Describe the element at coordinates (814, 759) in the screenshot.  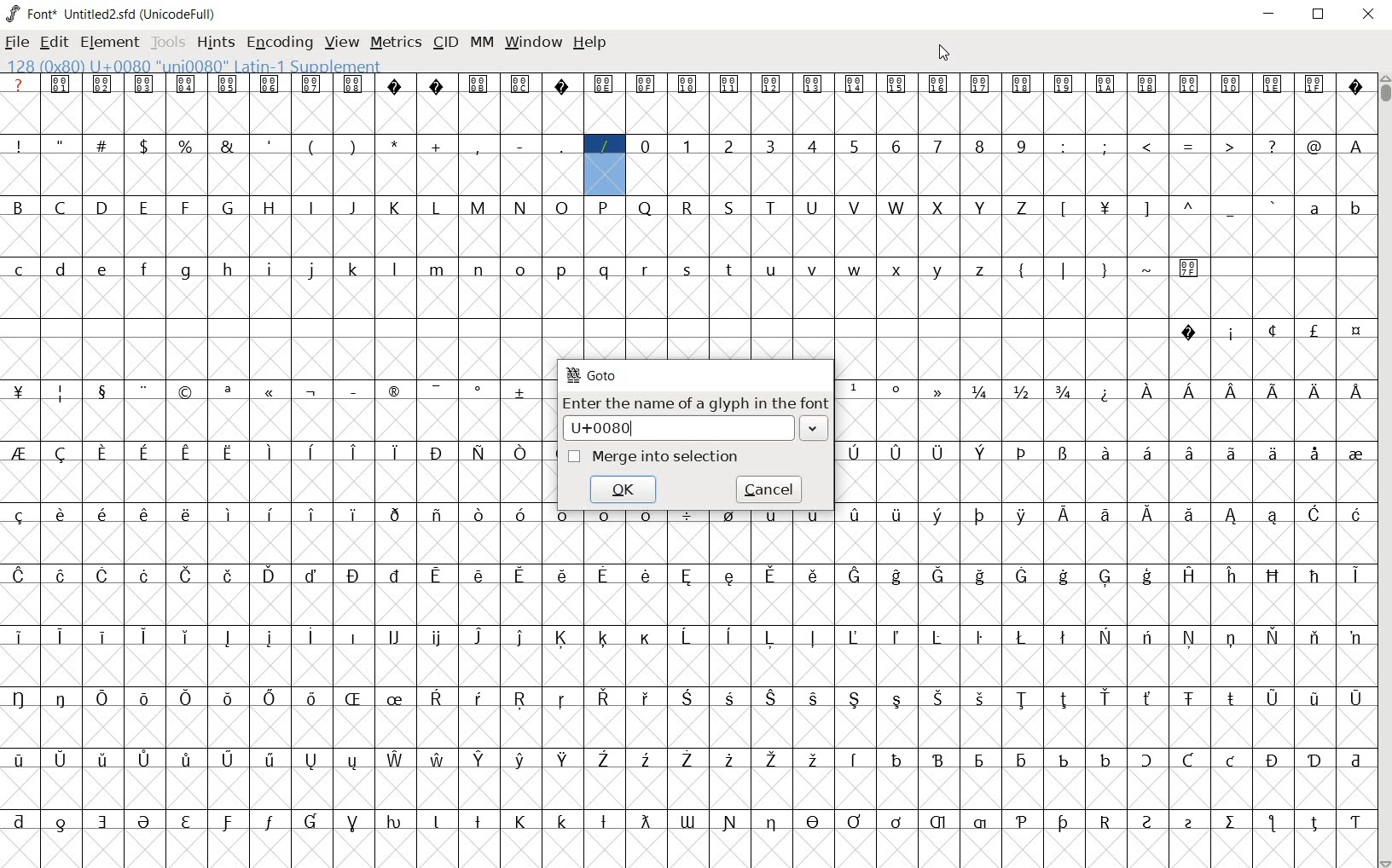
I see `glyph` at that location.